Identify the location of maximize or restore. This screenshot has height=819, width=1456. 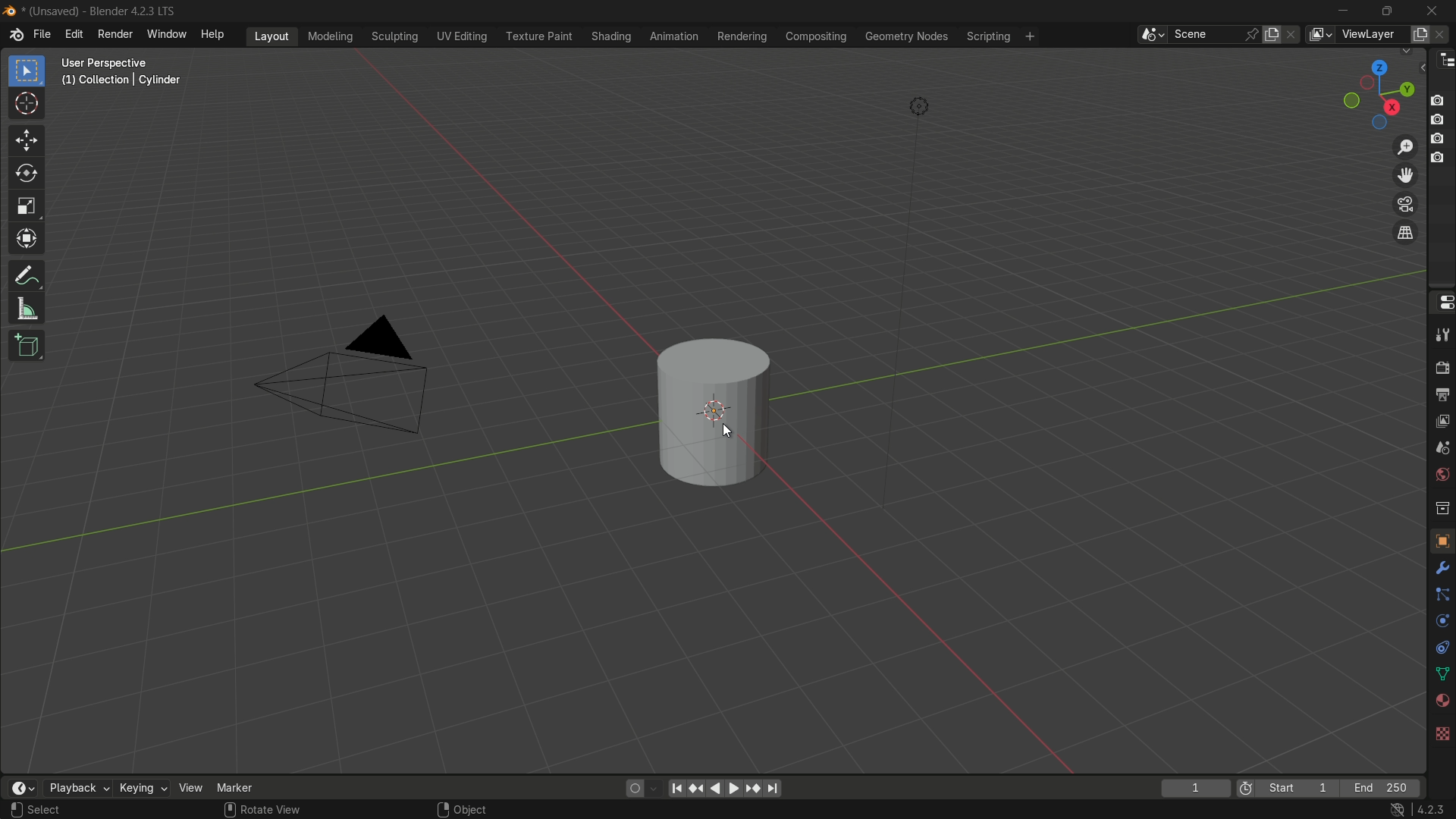
(1389, 10).